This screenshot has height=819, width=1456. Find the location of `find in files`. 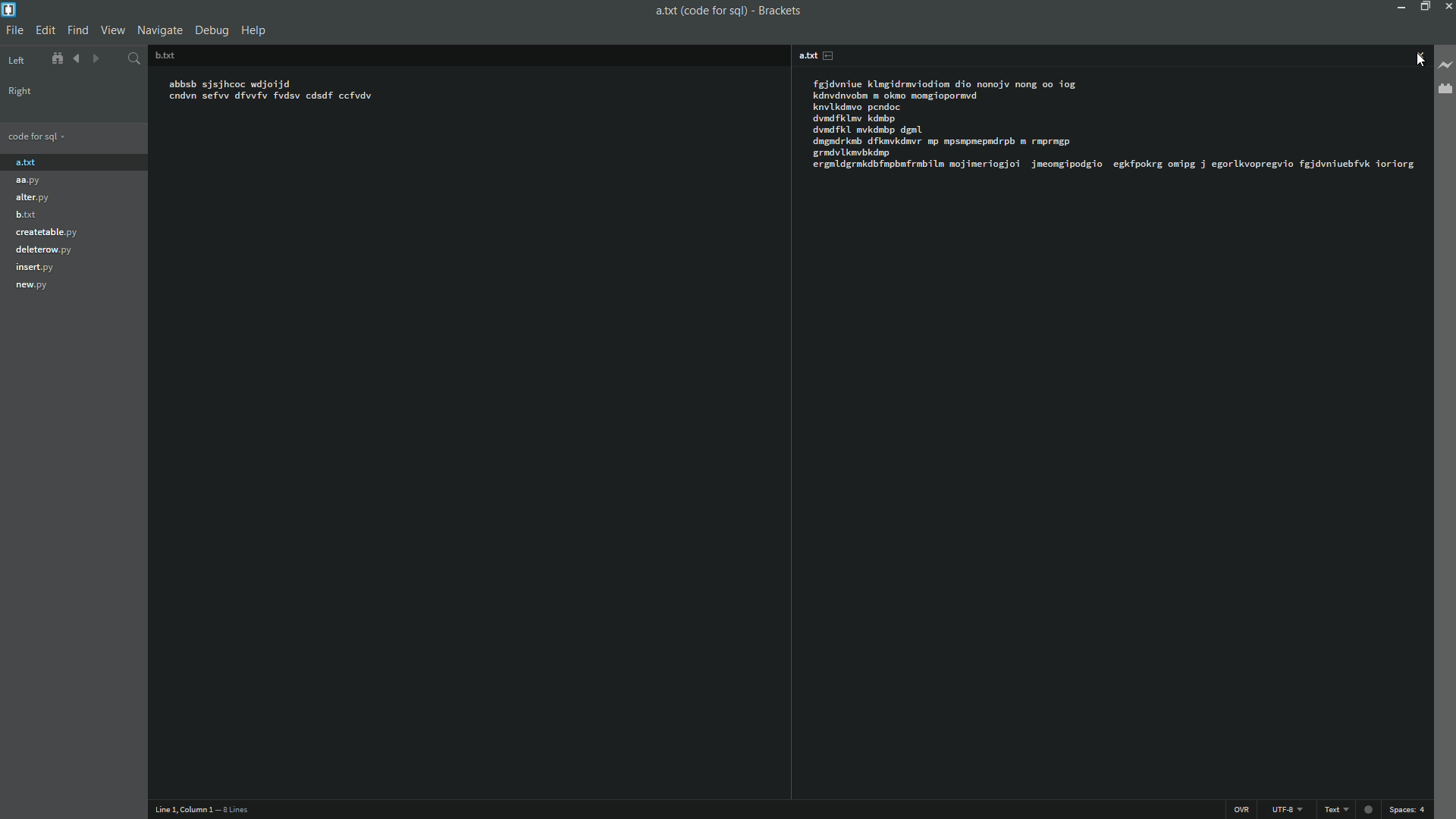

find in files is located at coordinates (134, 60).